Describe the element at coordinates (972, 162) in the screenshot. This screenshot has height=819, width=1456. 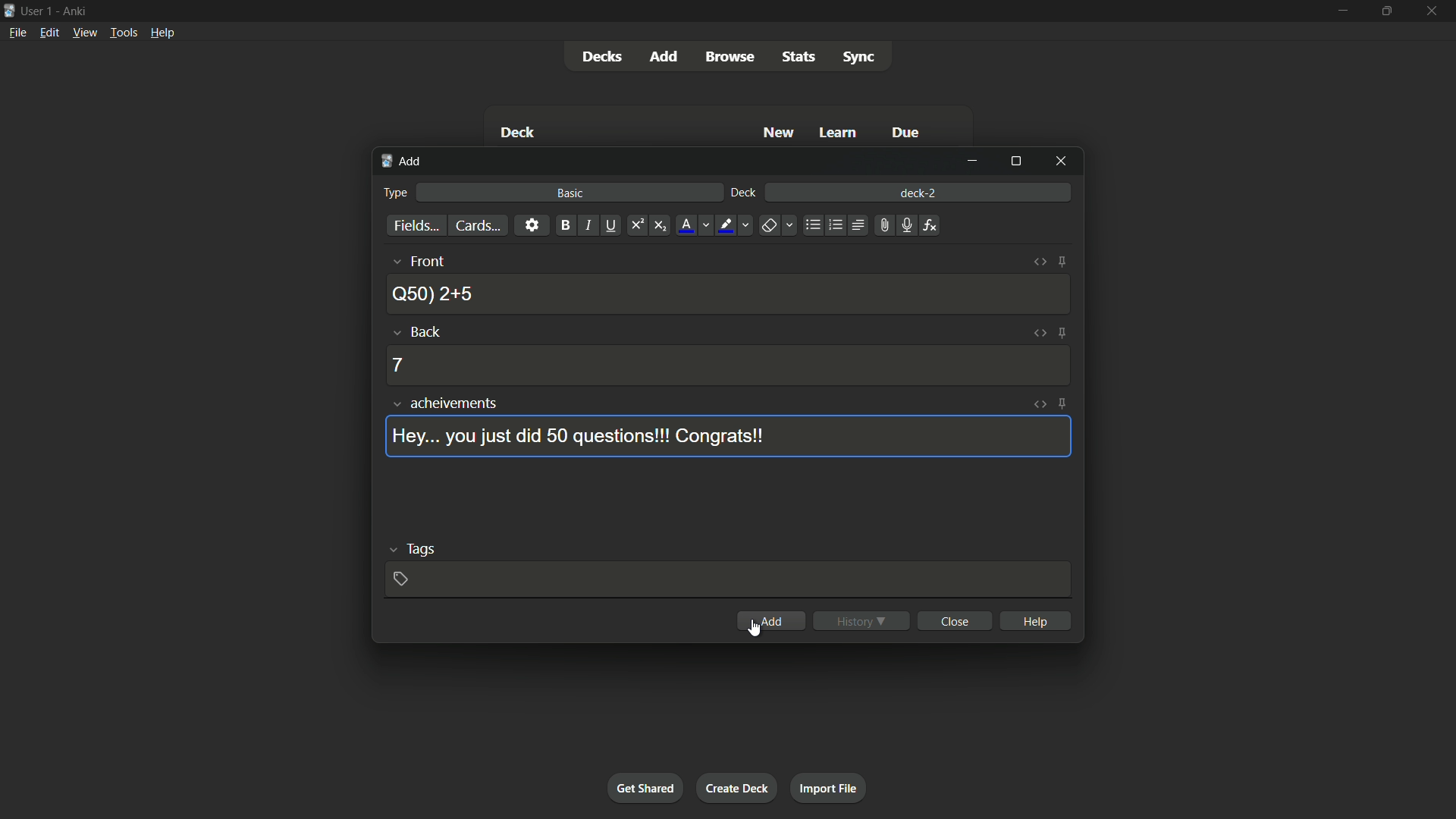
I see `minimize` at that location.